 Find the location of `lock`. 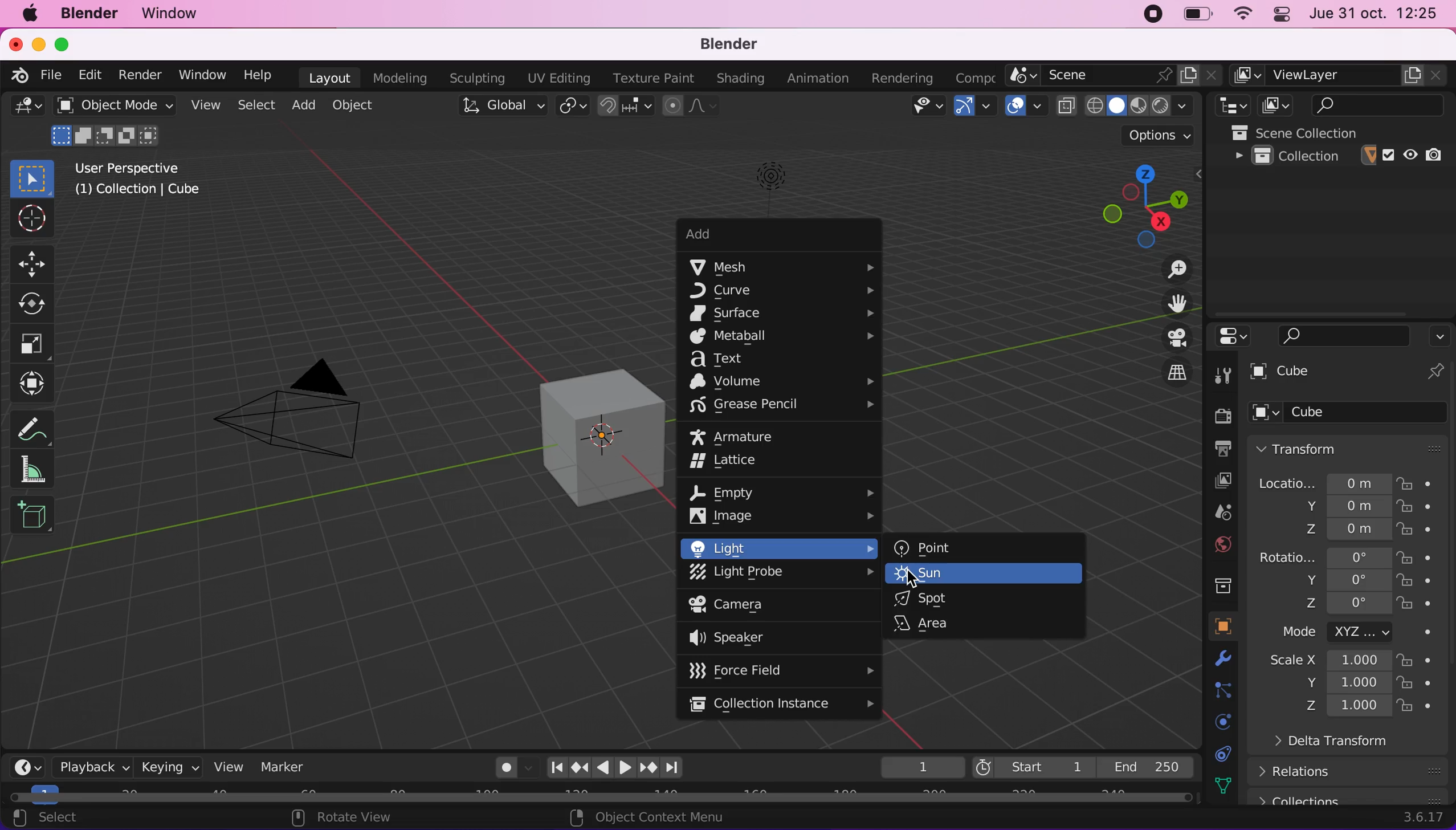

lock is located at coordinates (1426, 531).